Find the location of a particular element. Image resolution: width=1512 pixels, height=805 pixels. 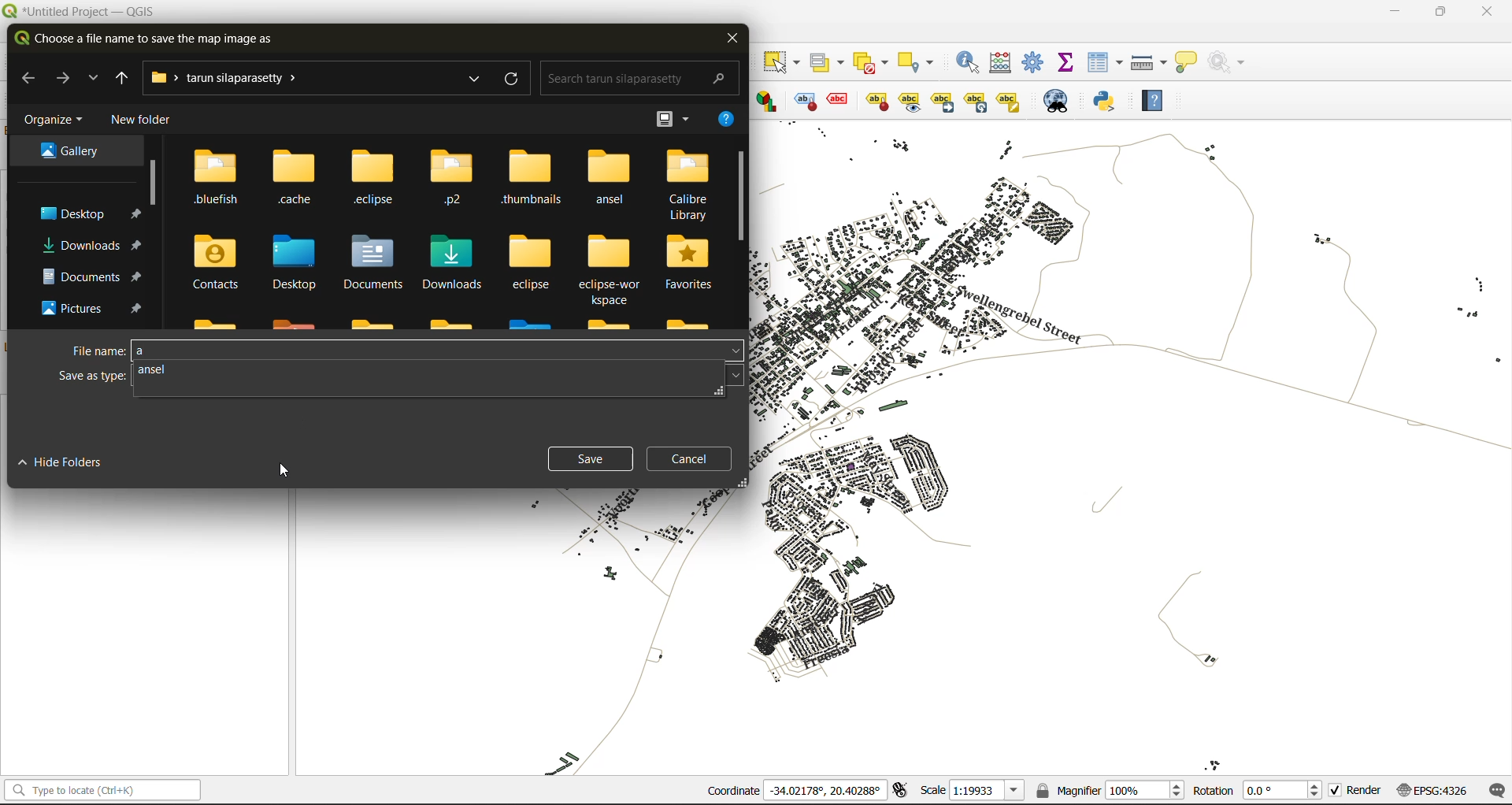

folders is located at coordinates (76, 227).